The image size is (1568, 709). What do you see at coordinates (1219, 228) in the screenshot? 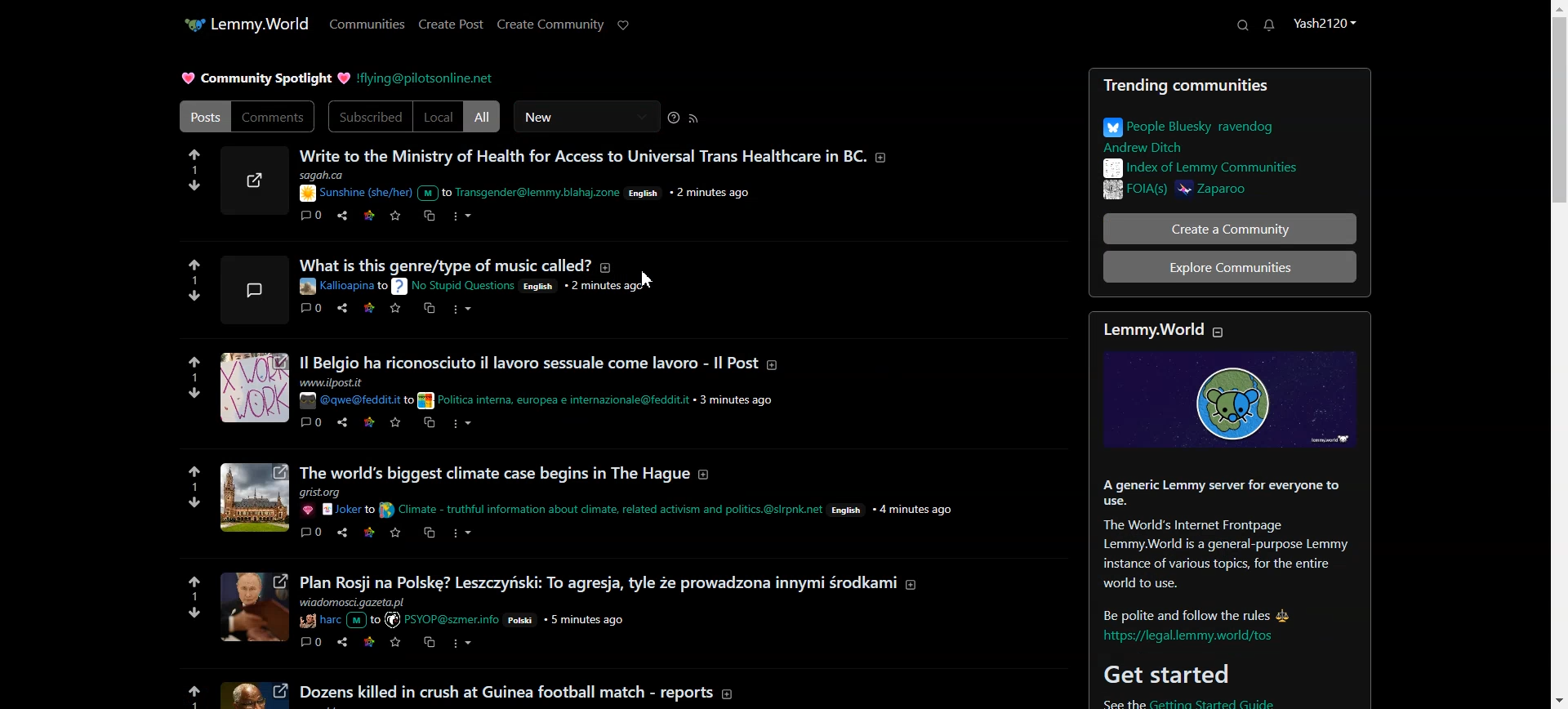
I see `Create a Community` at bounding box center [1219, 228].